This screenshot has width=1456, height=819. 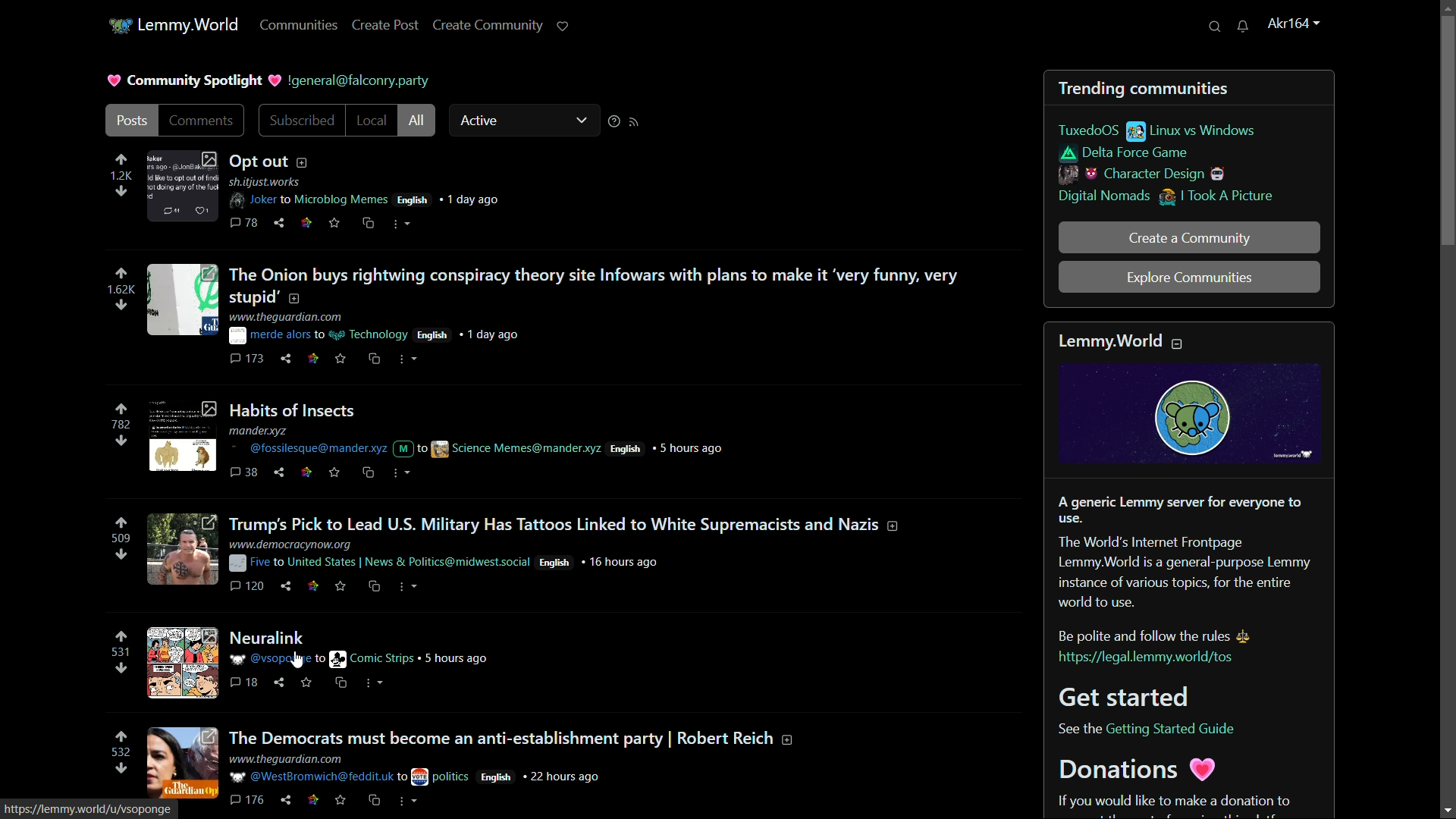 What do you see at coordinates (565, 544) in the screenshot?
I see `post-4` at bounding box center [565, 544].